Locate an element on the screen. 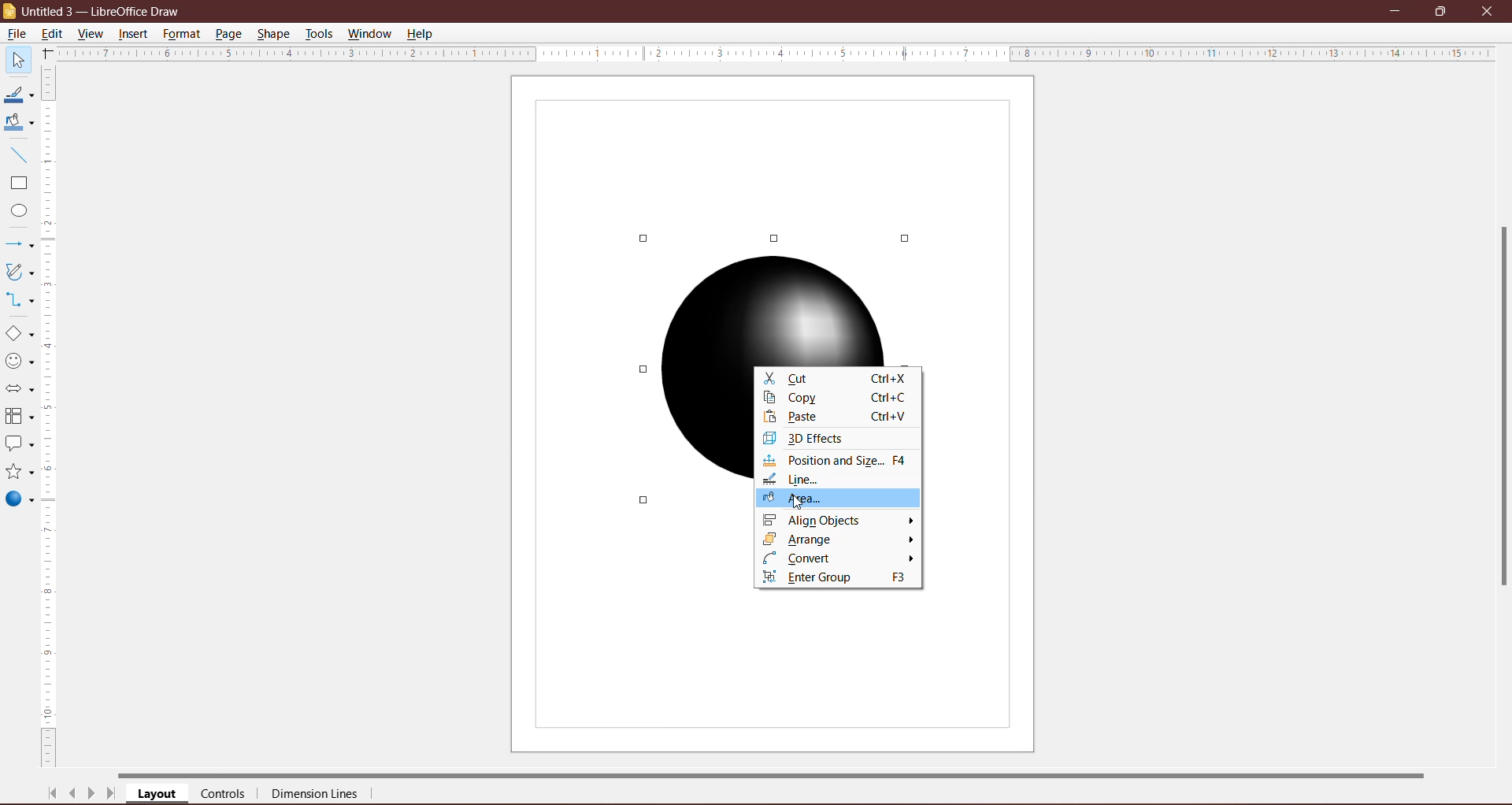  Insert Line is located at coordinates (17, 154).